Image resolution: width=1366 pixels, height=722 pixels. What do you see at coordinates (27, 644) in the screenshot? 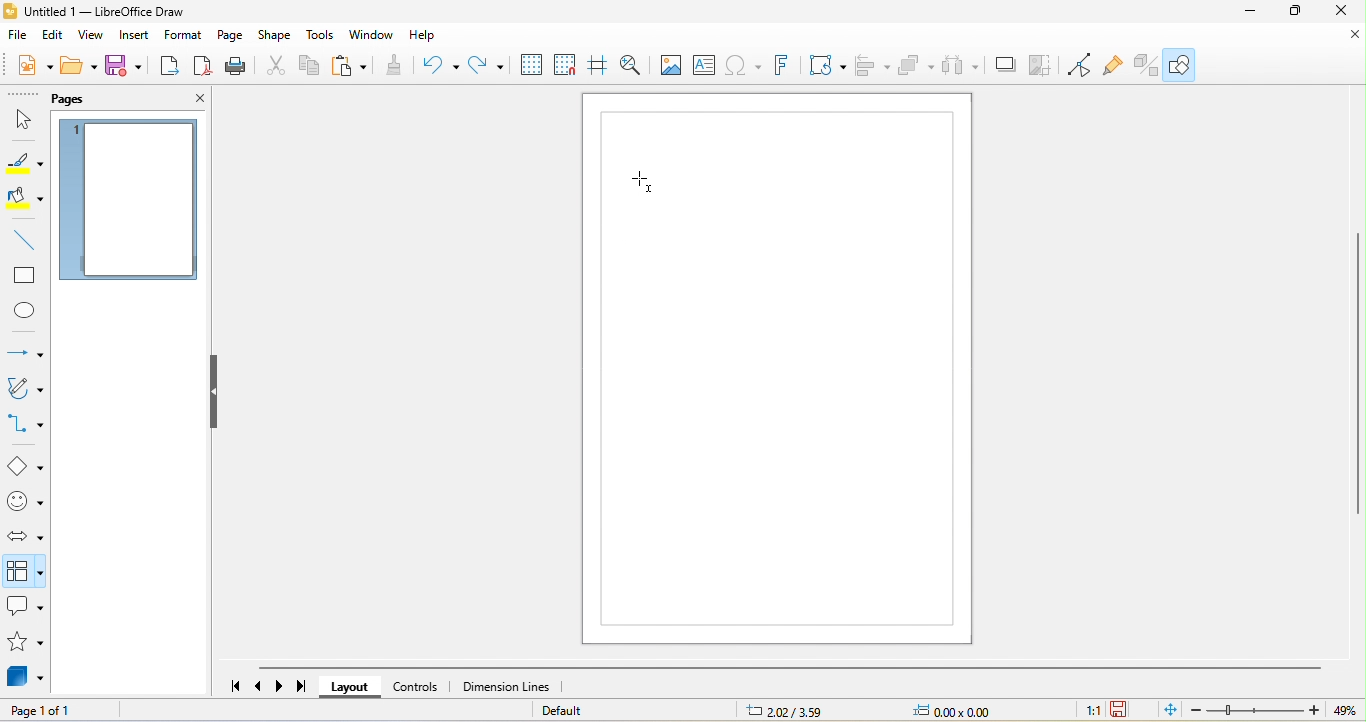
I see `star and banners` at bounding box center [27, 644].